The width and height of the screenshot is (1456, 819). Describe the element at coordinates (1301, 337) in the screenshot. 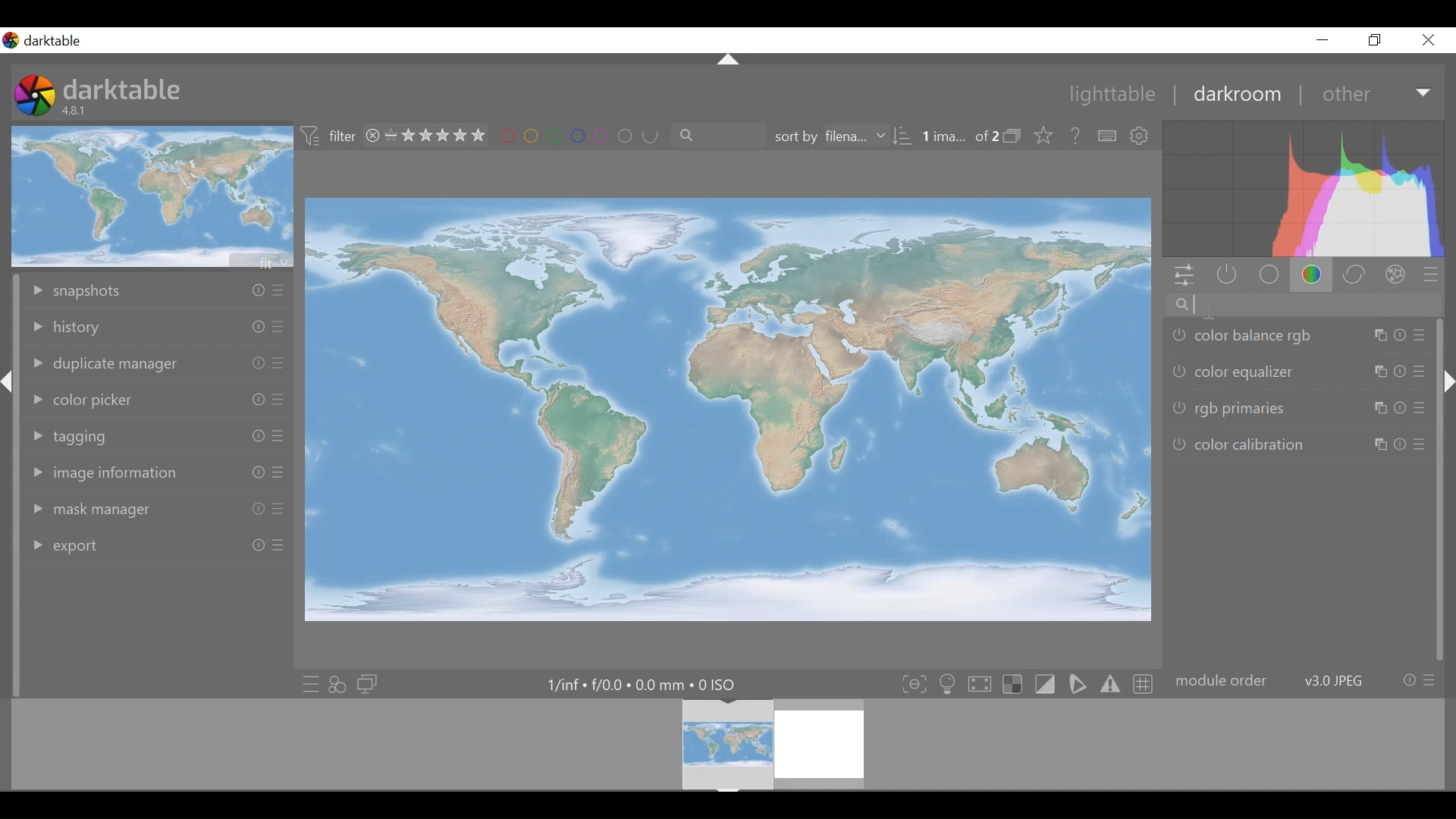

I see `color balance rgb` at that location.